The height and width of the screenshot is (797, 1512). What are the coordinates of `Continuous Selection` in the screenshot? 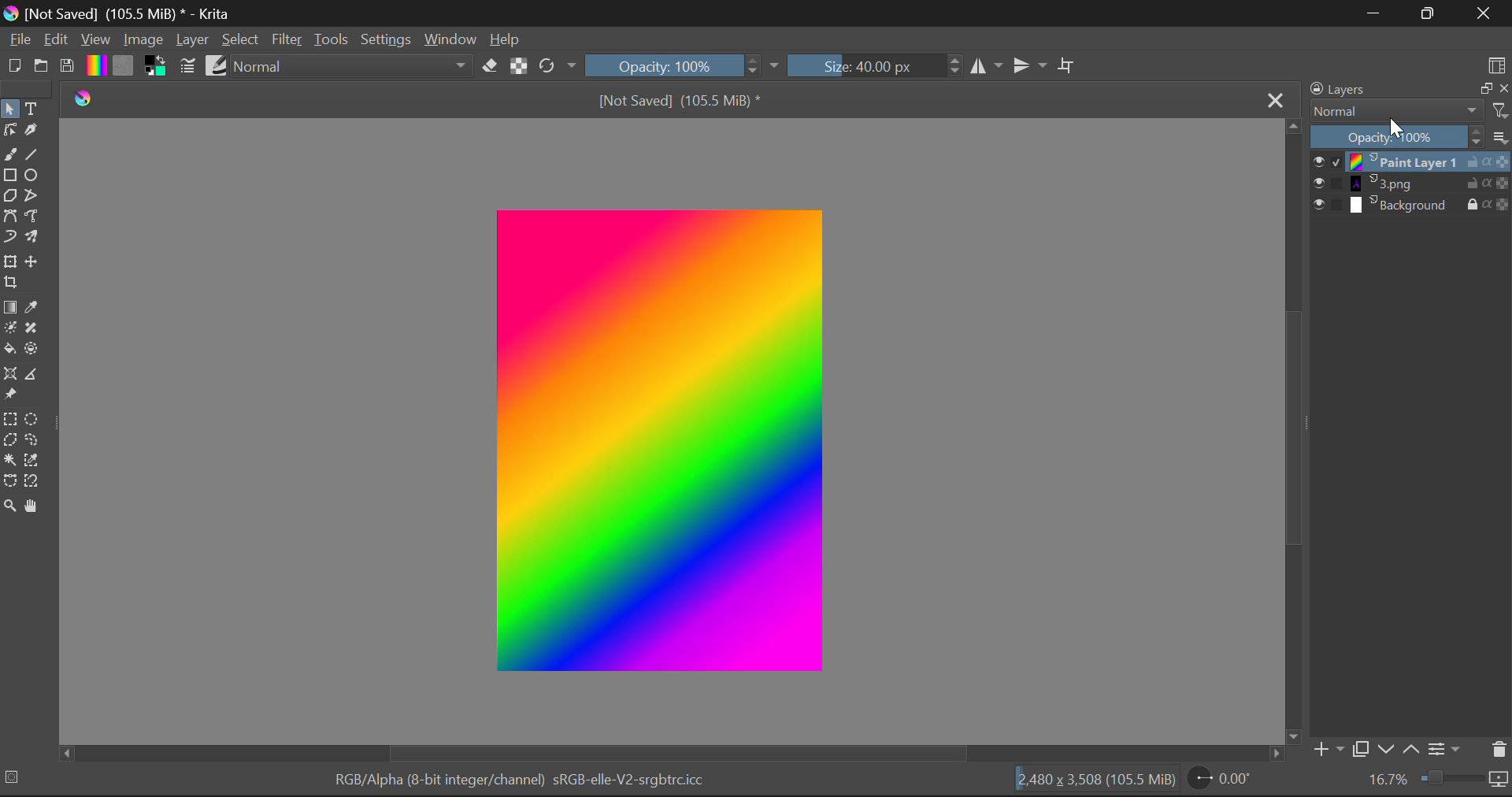 It's located at (10, 462).